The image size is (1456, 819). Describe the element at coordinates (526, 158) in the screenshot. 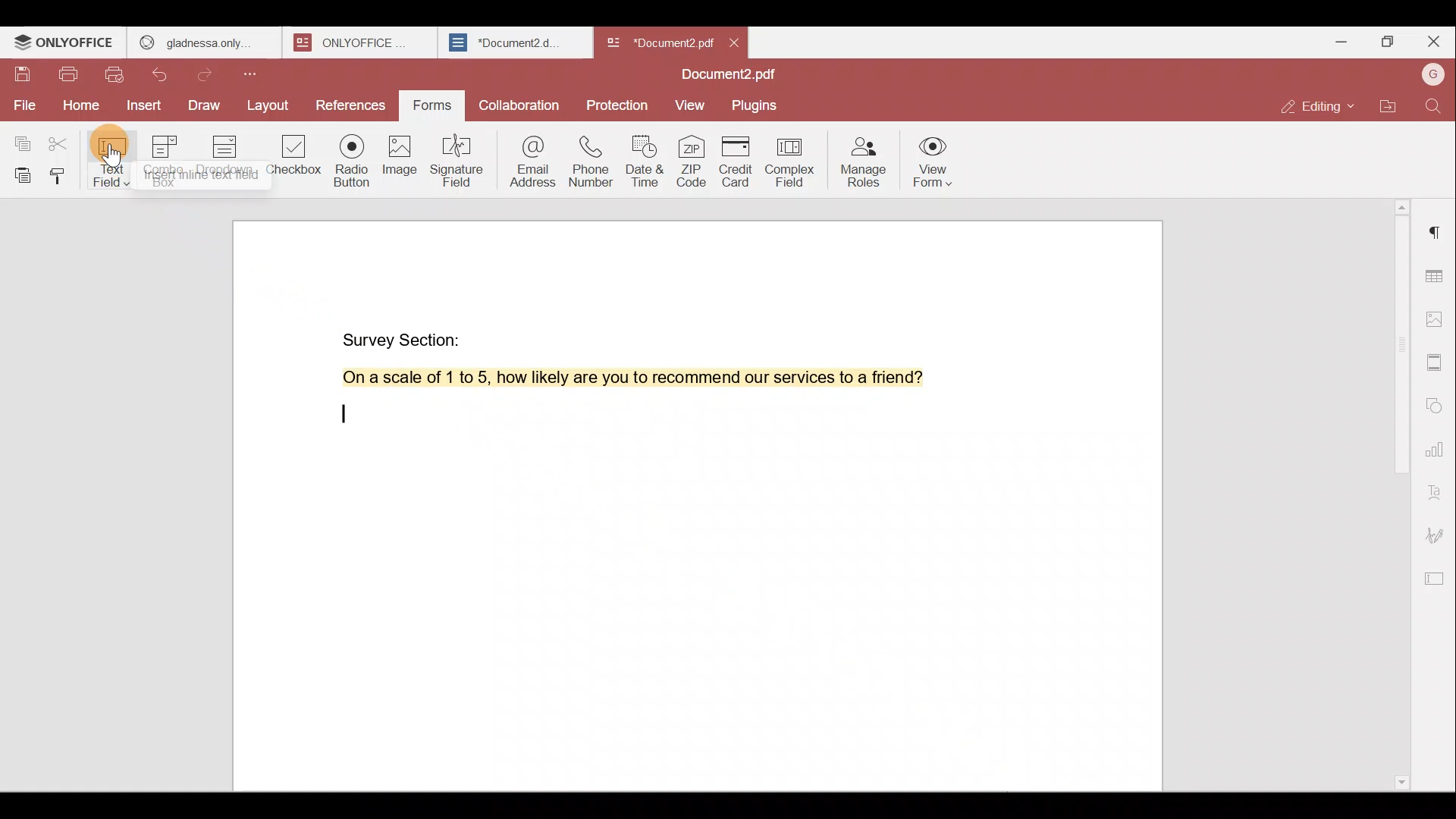

I see `Email address` at that location.